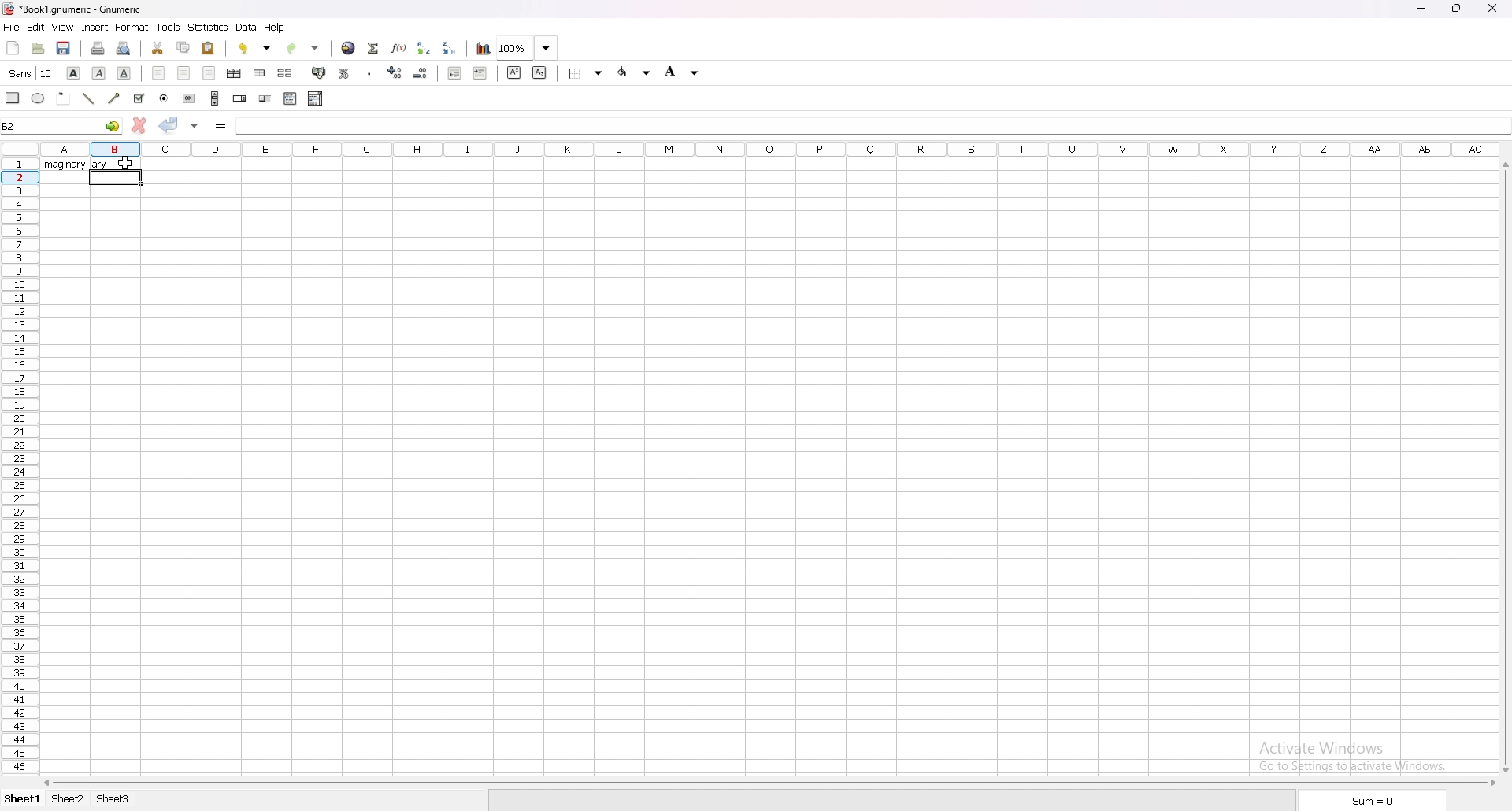 This screenshot has width=1512, height=811. What do you see at coordinates (113, 800) in the screenshot?
I see `sheet 3` at bounding box center [113, 800].